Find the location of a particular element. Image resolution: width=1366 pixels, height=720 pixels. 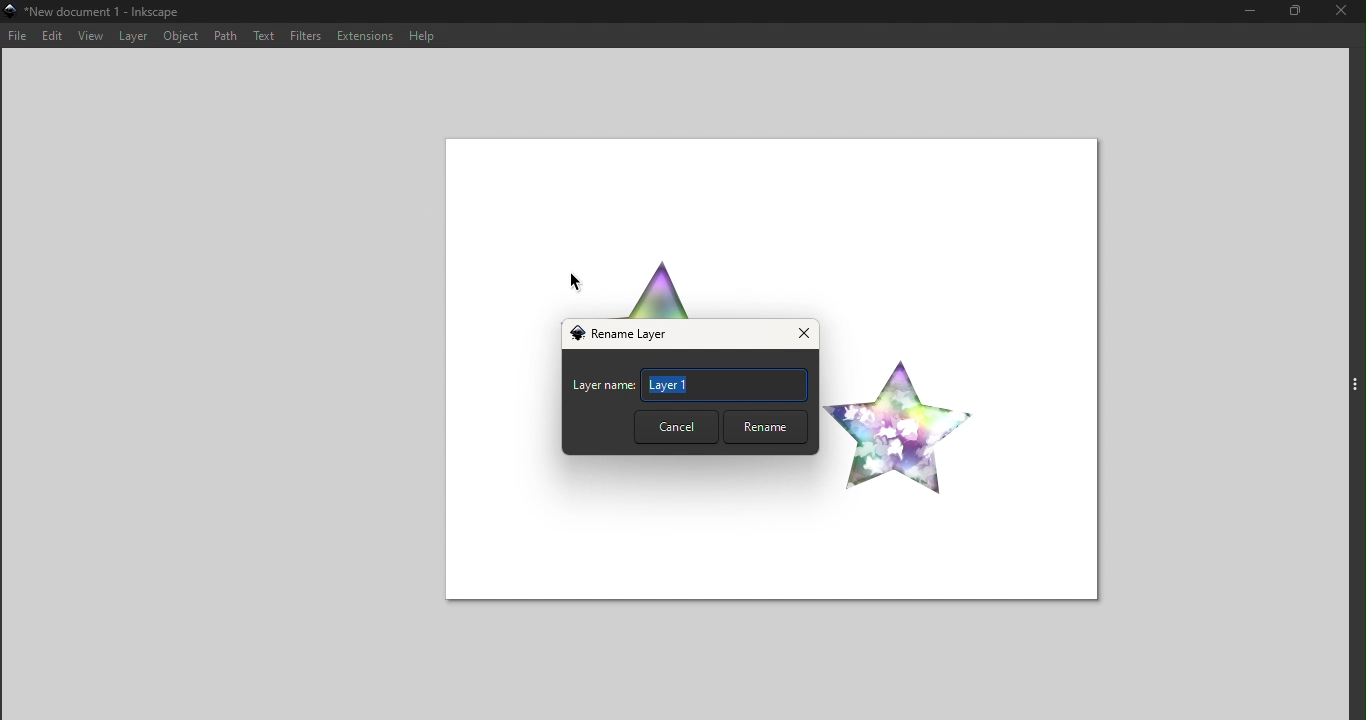

filters is located at coordinates (306, 35).